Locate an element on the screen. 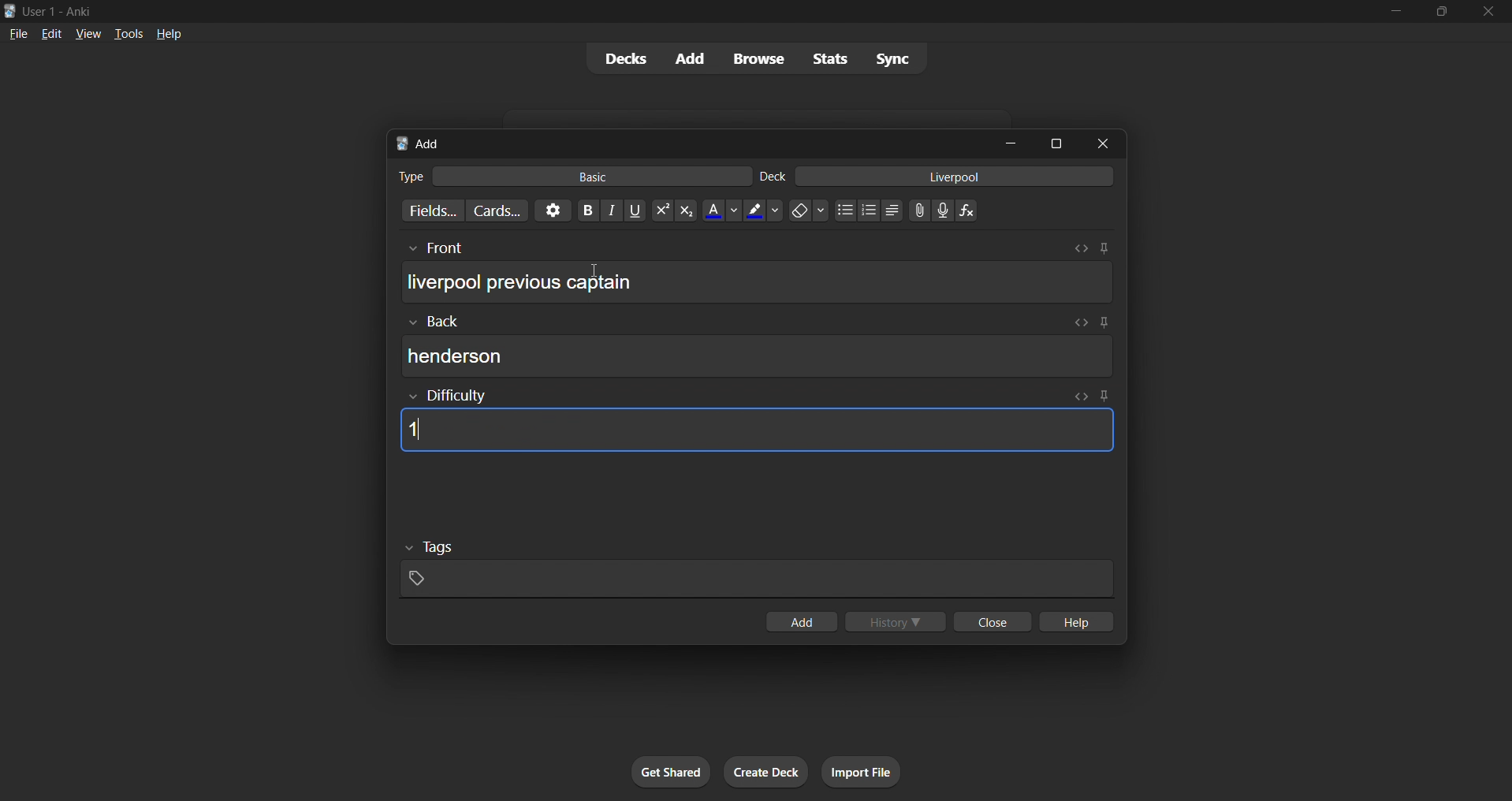 This screenshot has width=1512, height=801. edit is located at coordinates (47, 32).